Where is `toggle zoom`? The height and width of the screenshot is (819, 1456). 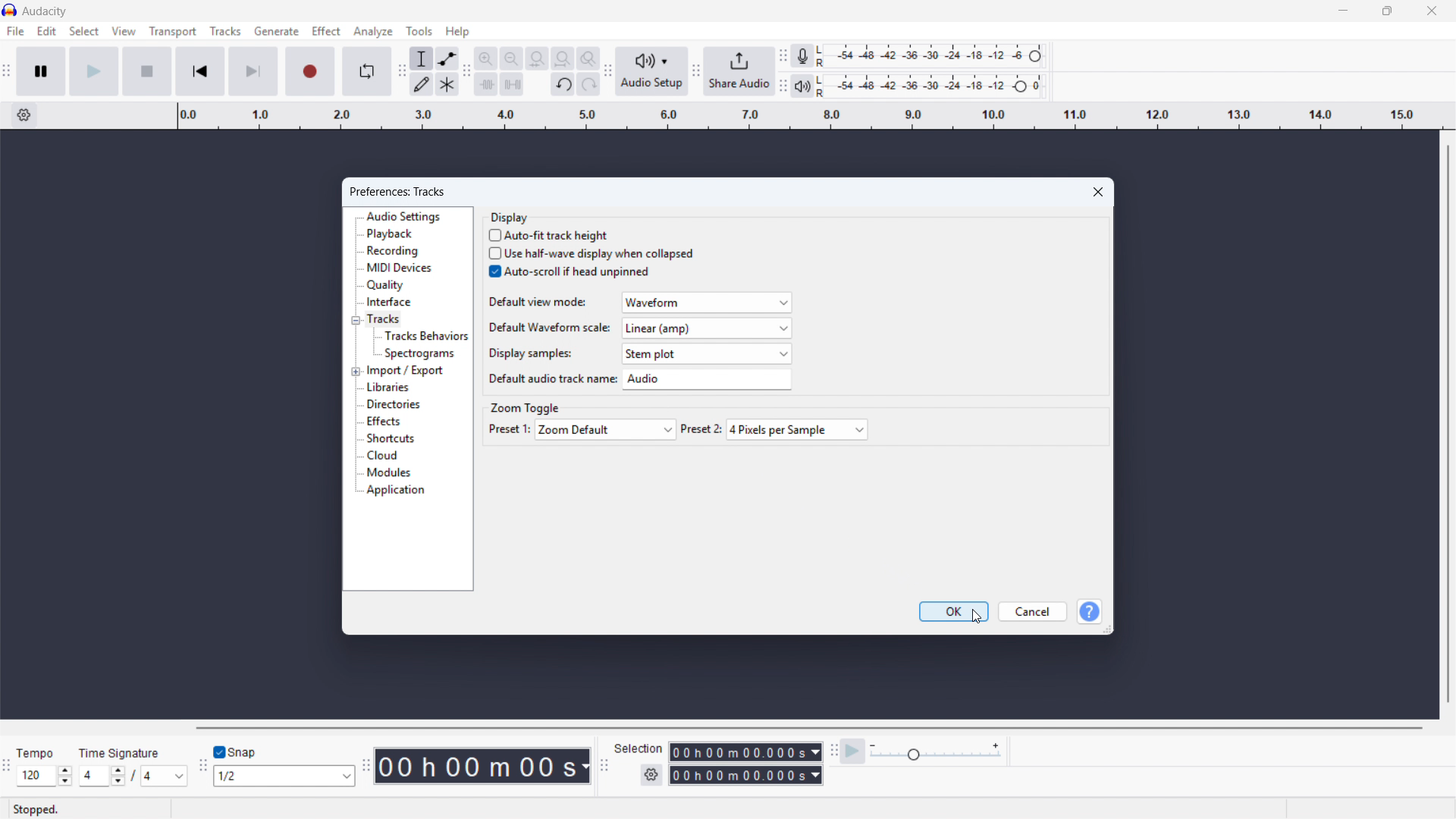 toggle zoom is located at coordinates (588, 58).